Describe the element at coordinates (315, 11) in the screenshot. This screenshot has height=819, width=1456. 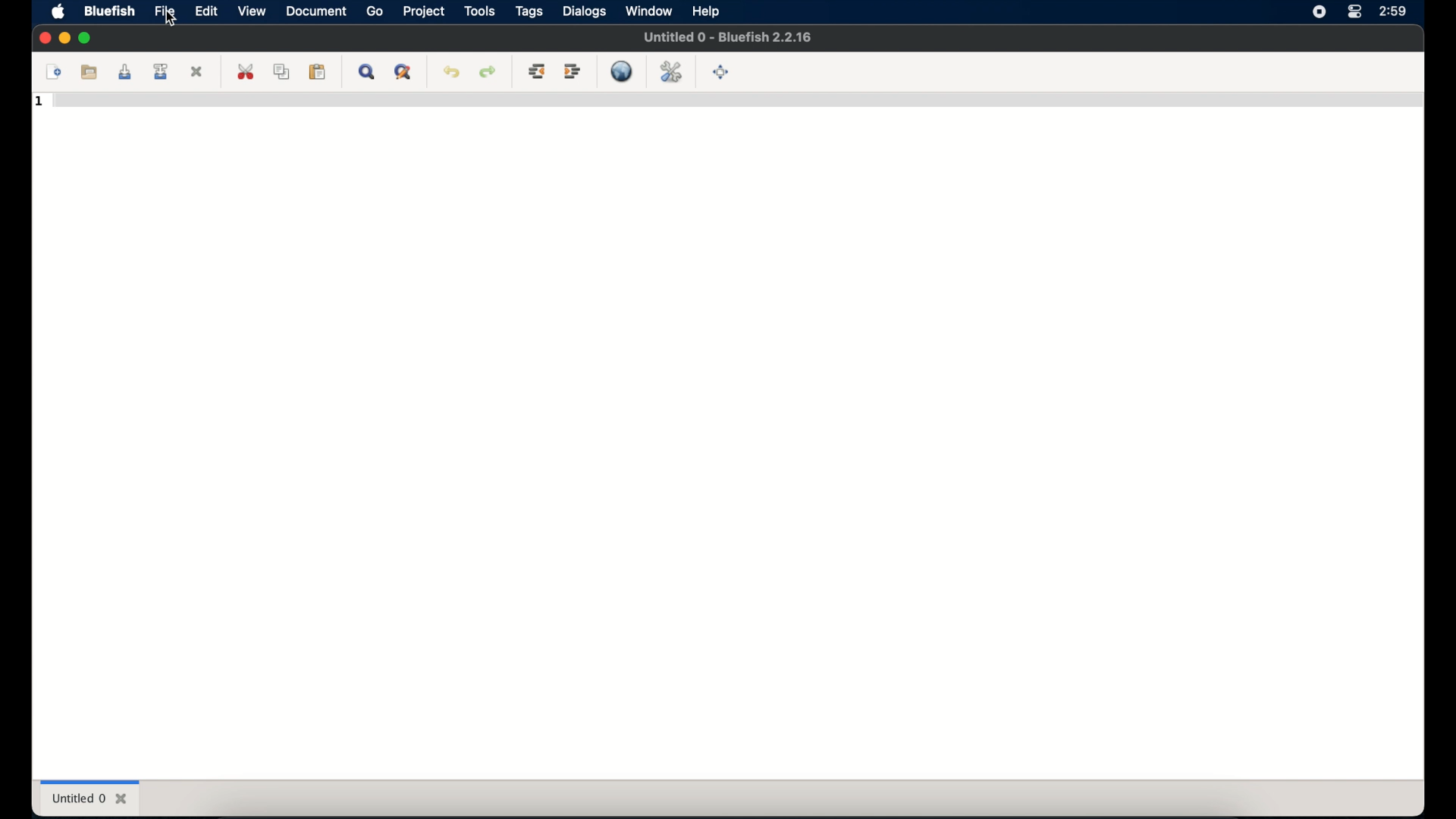
I see `document` at that location.